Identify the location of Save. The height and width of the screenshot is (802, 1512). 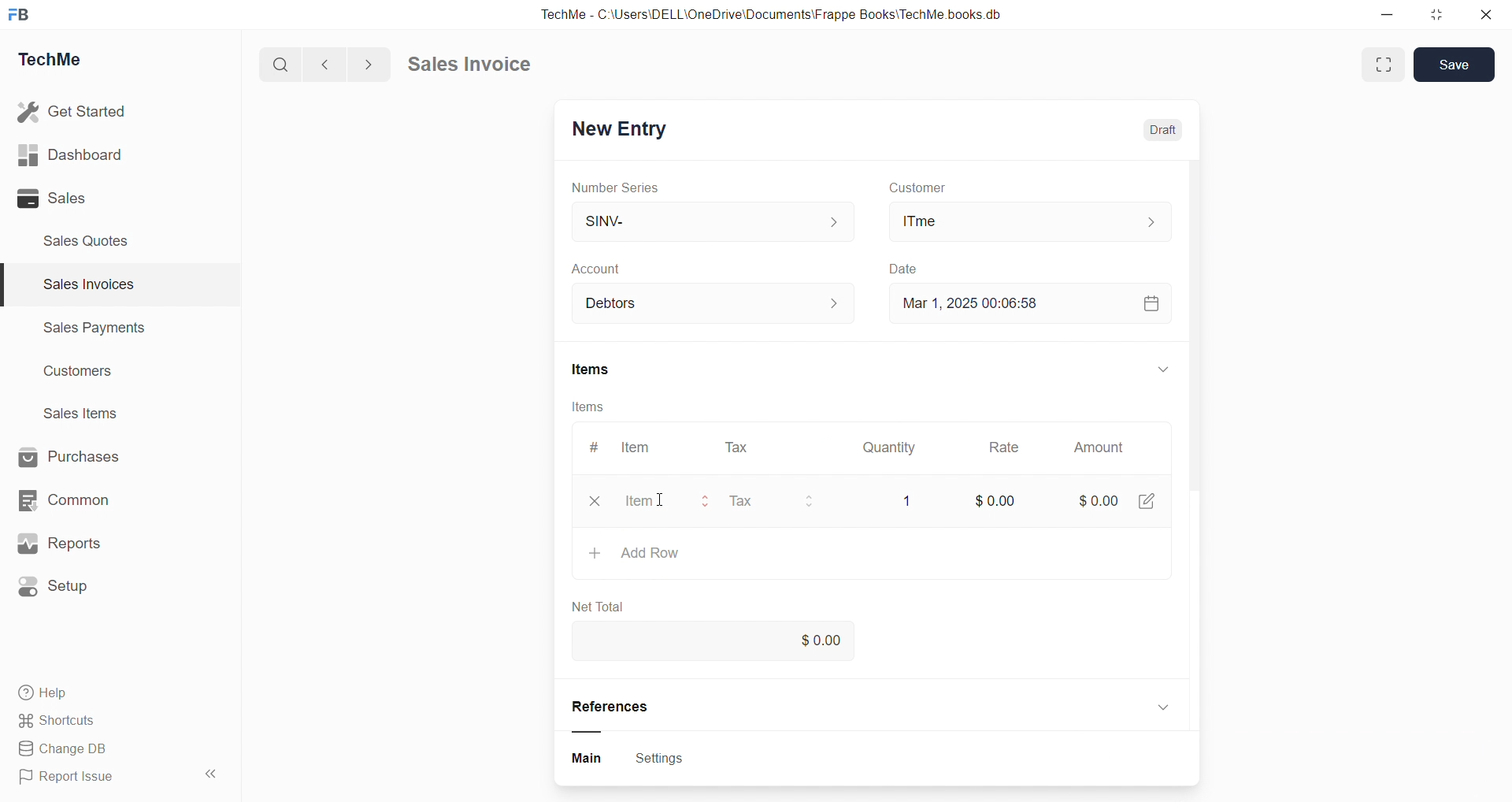
(1458, 64).